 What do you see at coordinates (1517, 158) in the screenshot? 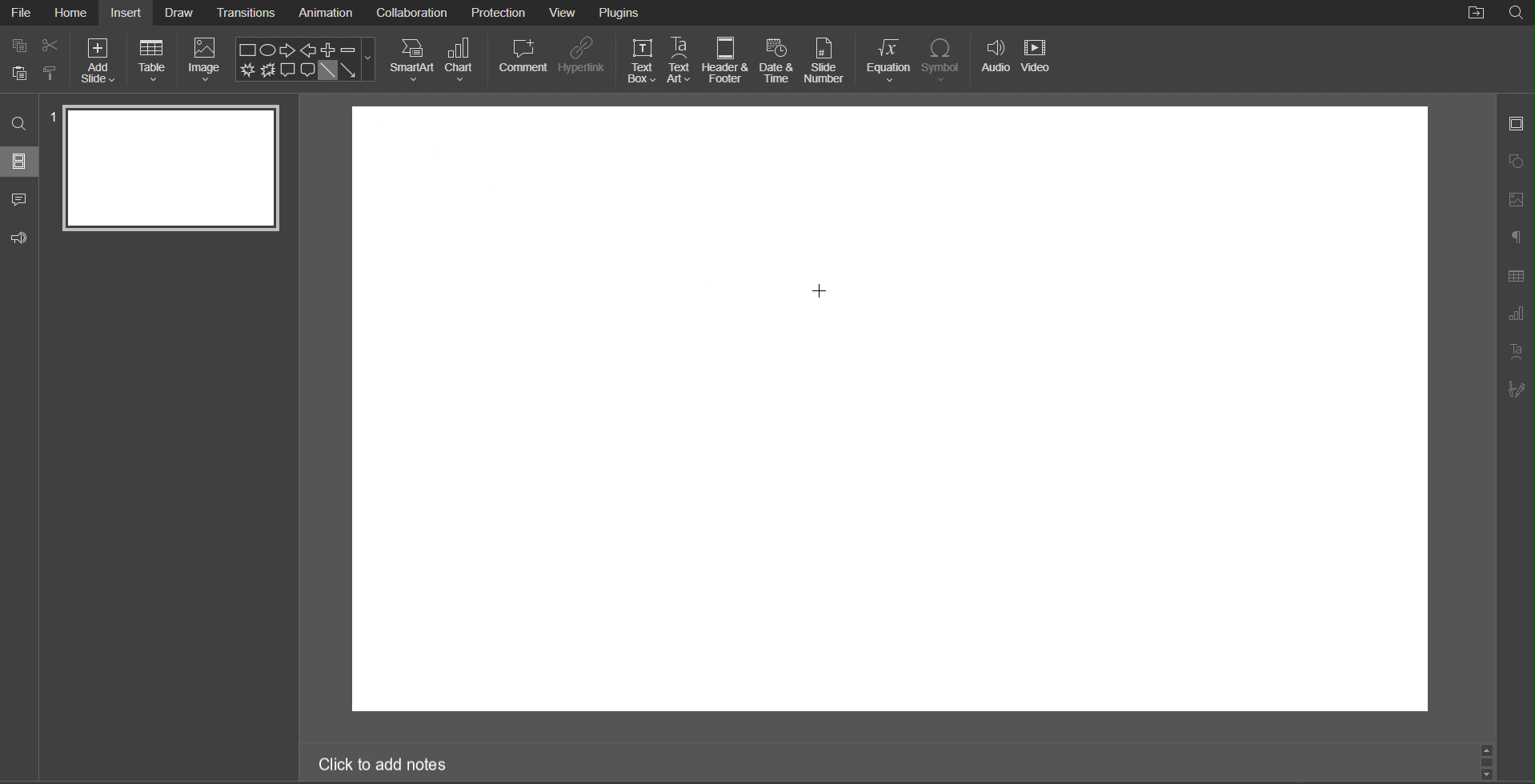
I see `Shape Settings` at bounding box center [1517, 158].